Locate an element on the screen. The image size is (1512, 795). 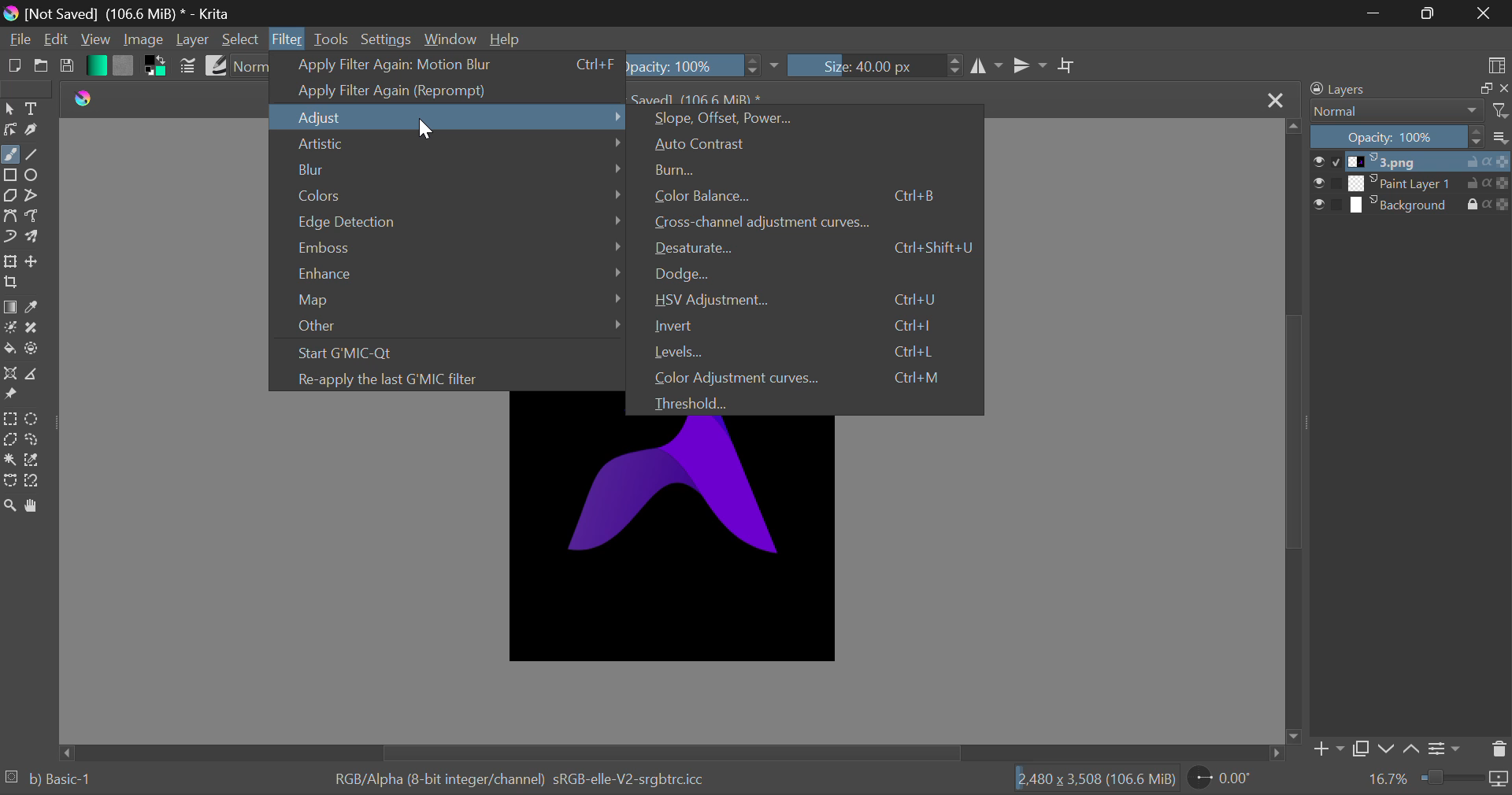
1.png is located at coordinates (1411, 162).